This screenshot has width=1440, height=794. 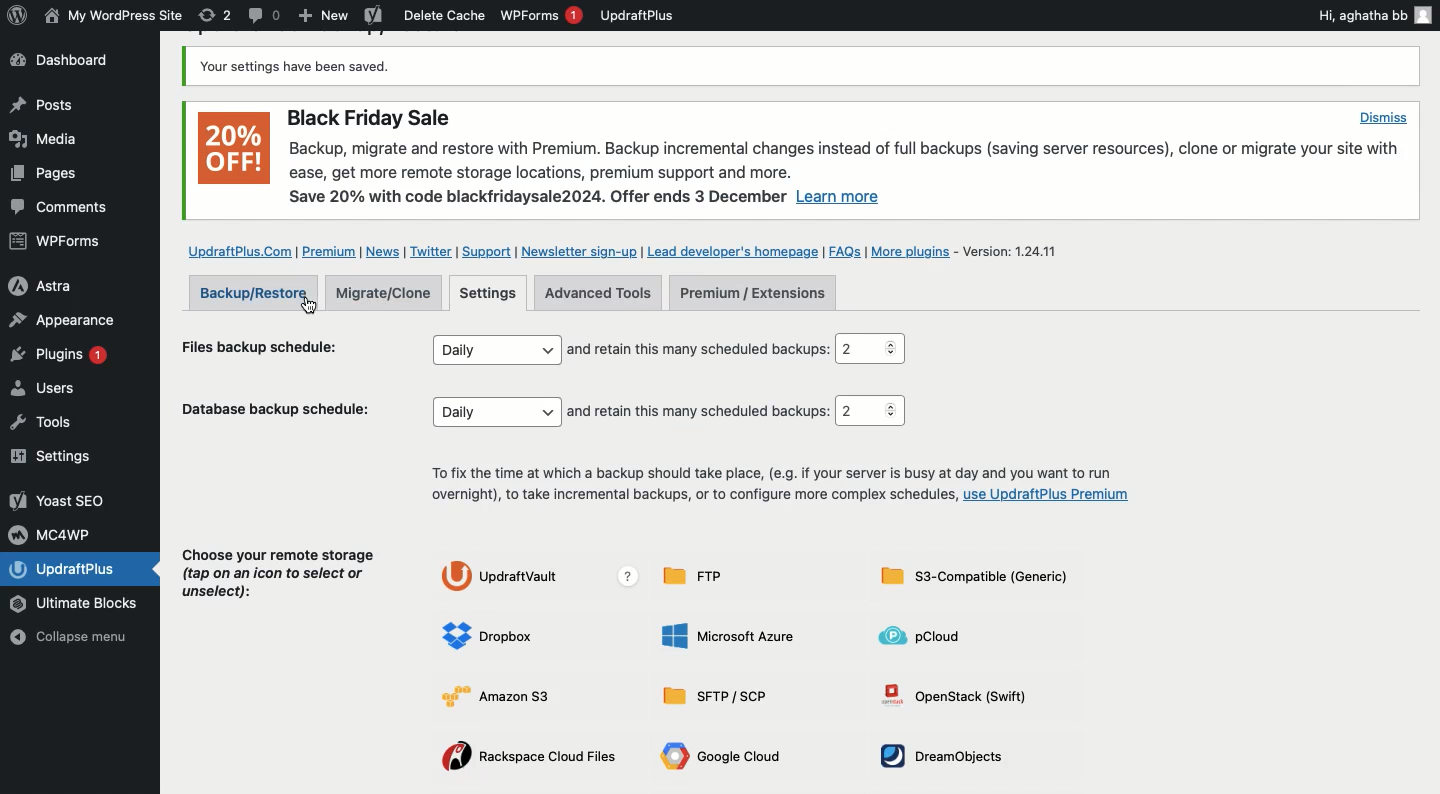 What do you see at coordinates (934, 752) in the screenshot?
I see `DreamObjects` at bounding box center [934, 752].